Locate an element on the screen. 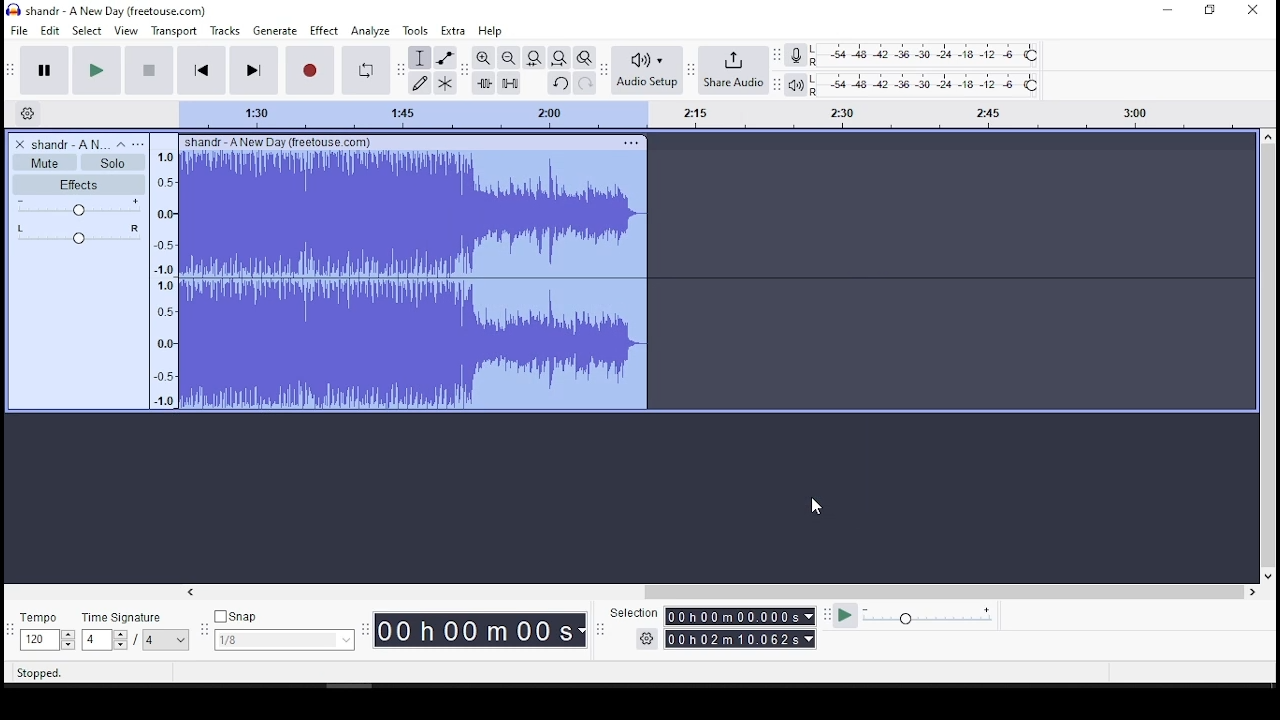  collapse is located at coordinates (121, 144).